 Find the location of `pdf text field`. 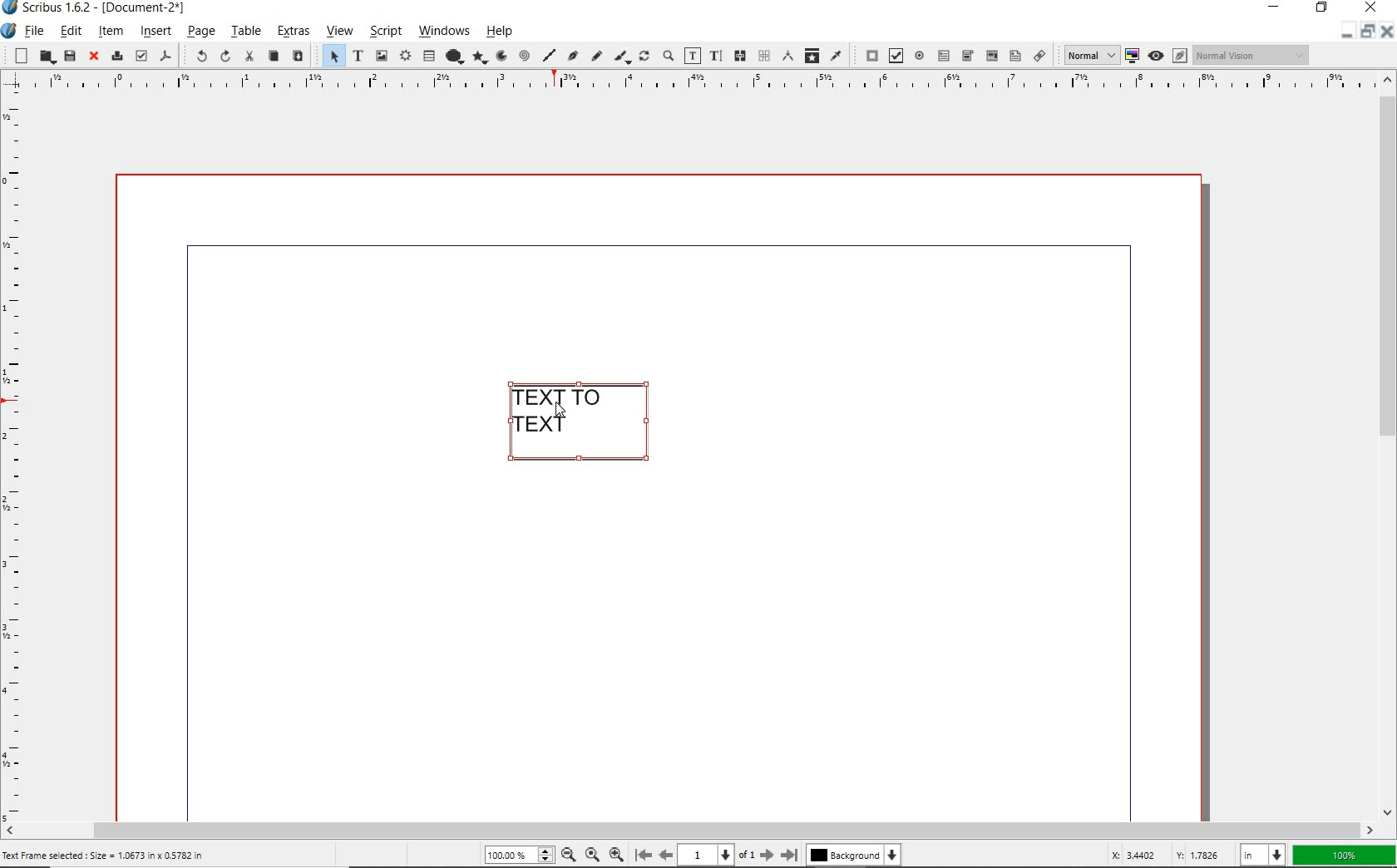

pdf text field is located at coordinates (944, 55).